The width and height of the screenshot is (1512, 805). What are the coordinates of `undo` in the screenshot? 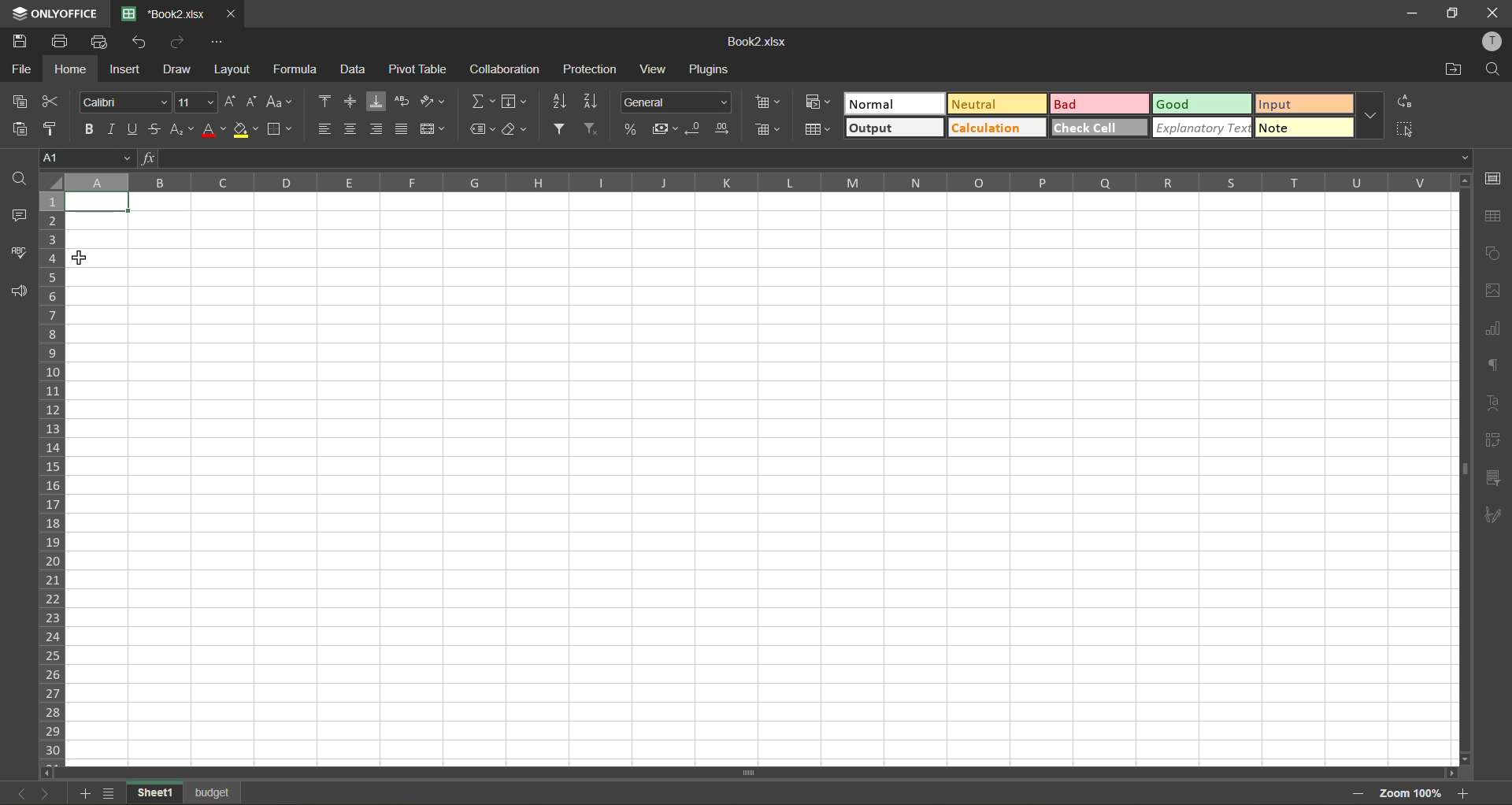 It's located at (143, 43).